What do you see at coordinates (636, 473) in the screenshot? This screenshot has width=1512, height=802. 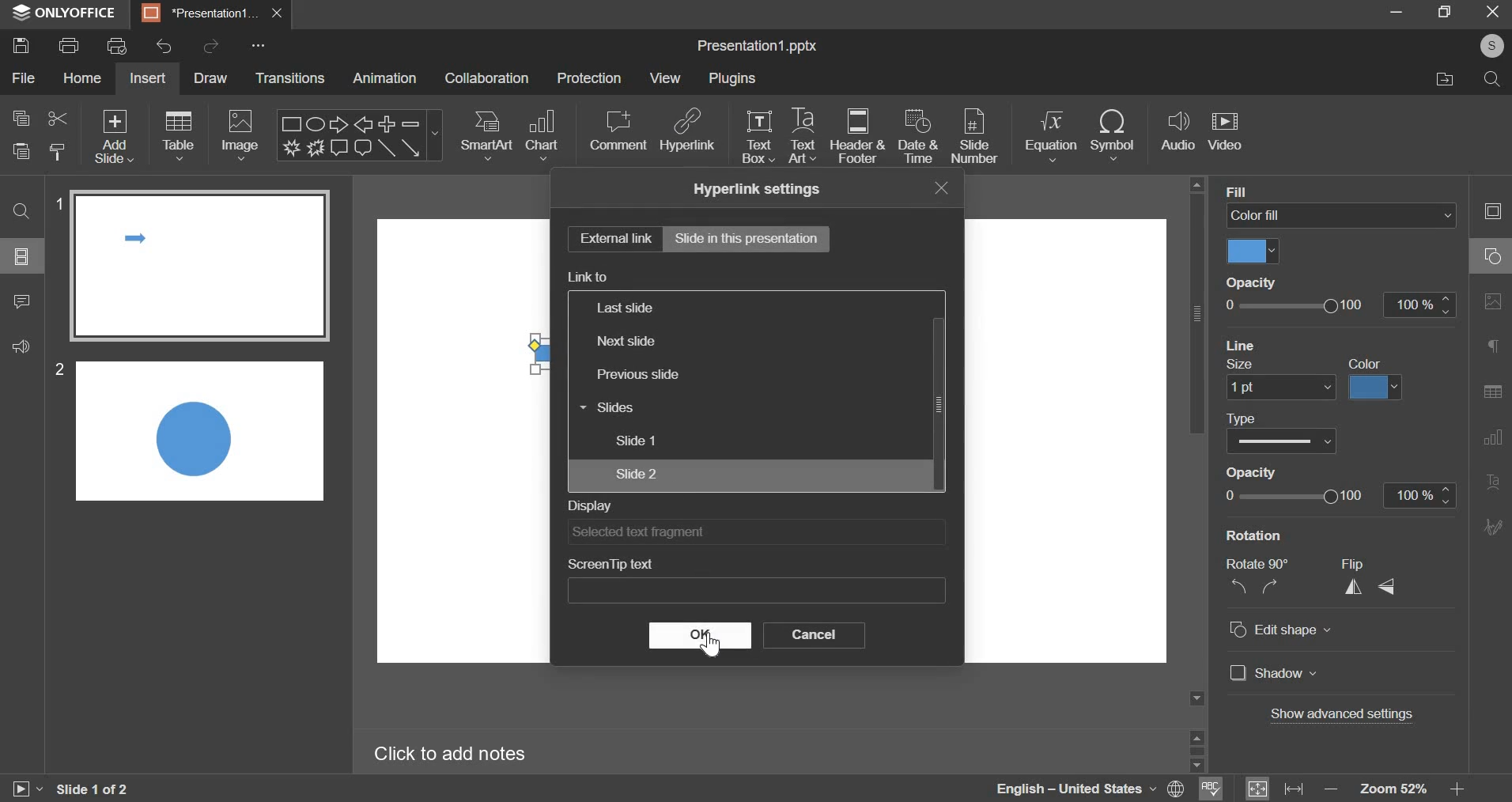 I see `slide 2` at bounding box center [636, 473].